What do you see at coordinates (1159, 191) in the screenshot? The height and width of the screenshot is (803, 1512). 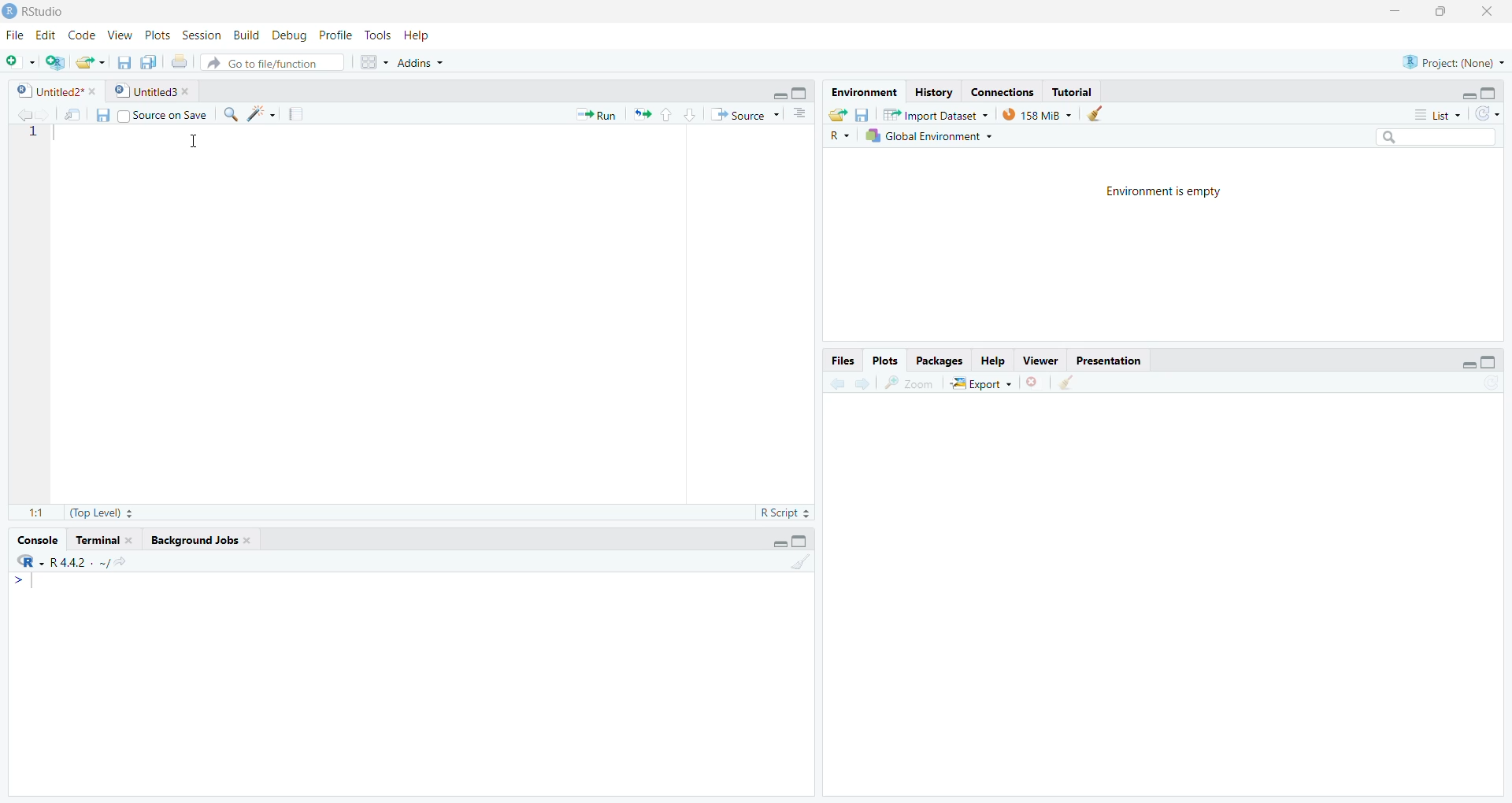 I see `Environment is empty` at bounding box center [1159, 191].